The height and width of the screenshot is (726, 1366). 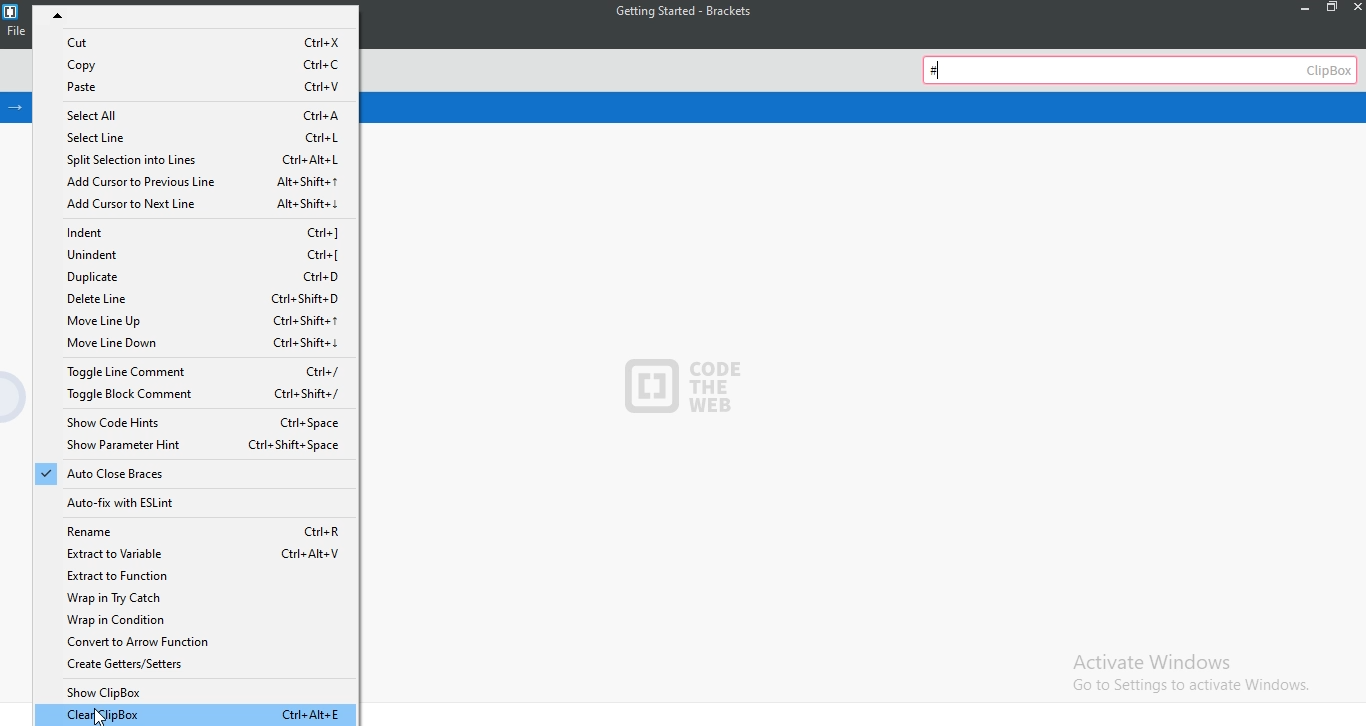 I want to click on close, so click(x=1356, y=7).